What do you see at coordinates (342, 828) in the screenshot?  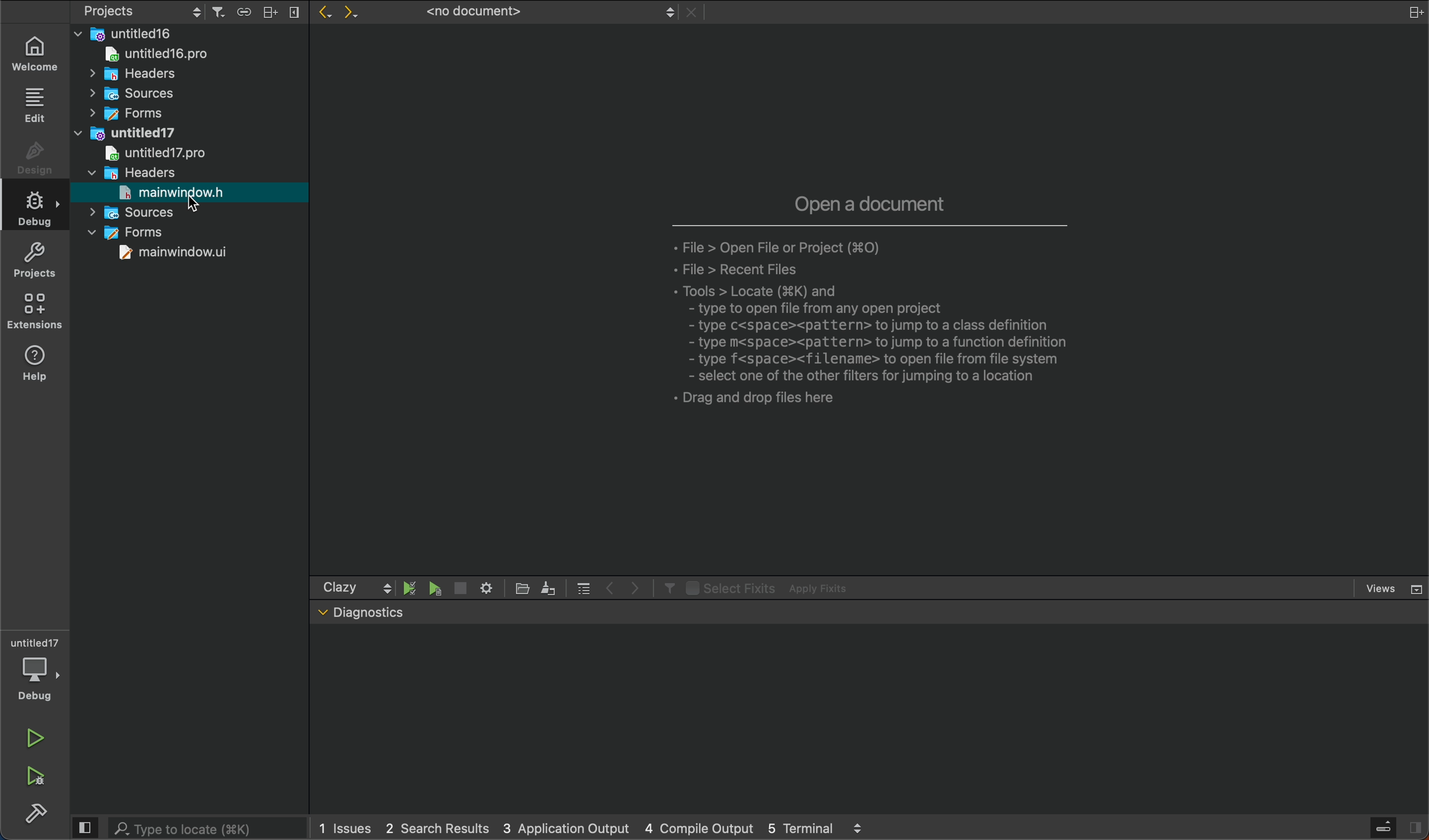 I see `1 Issues` at bounding box center [342, 828].